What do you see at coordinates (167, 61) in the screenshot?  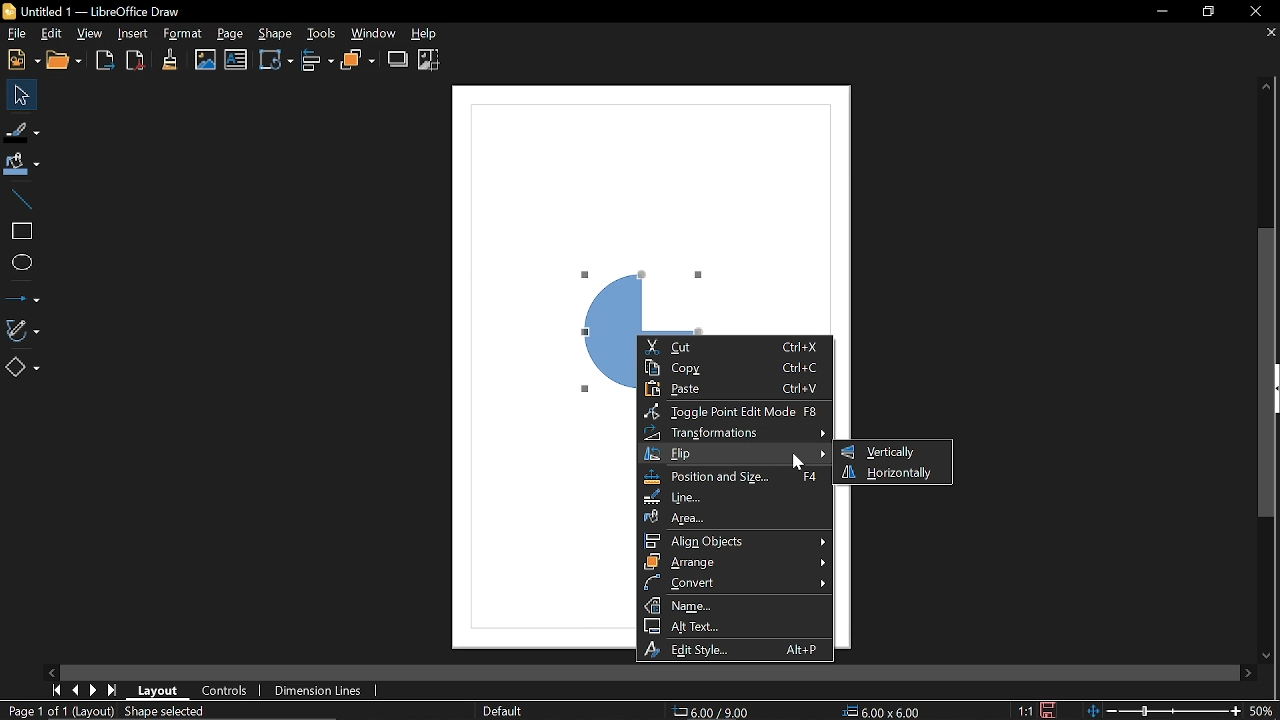 I see `Clone` at bounding box center [167, 61].